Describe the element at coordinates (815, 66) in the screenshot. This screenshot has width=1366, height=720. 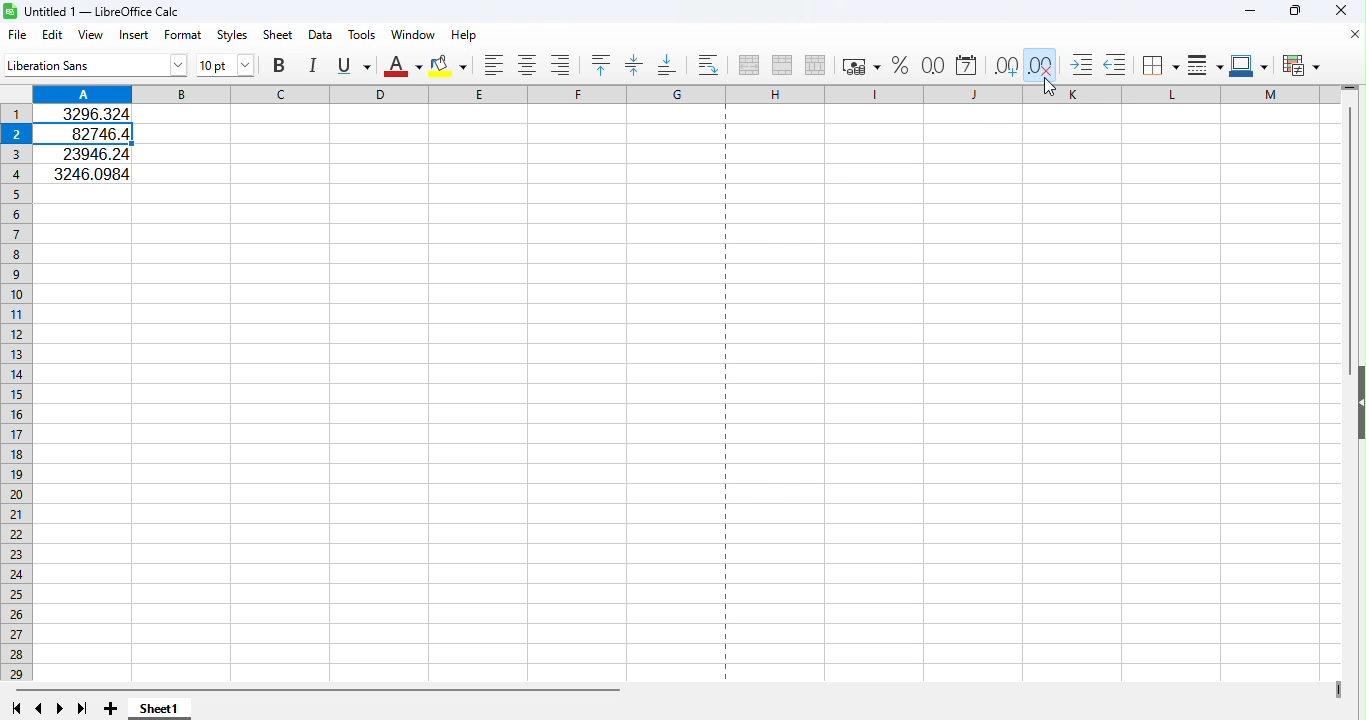
I see `Unmerge cells` at that location.